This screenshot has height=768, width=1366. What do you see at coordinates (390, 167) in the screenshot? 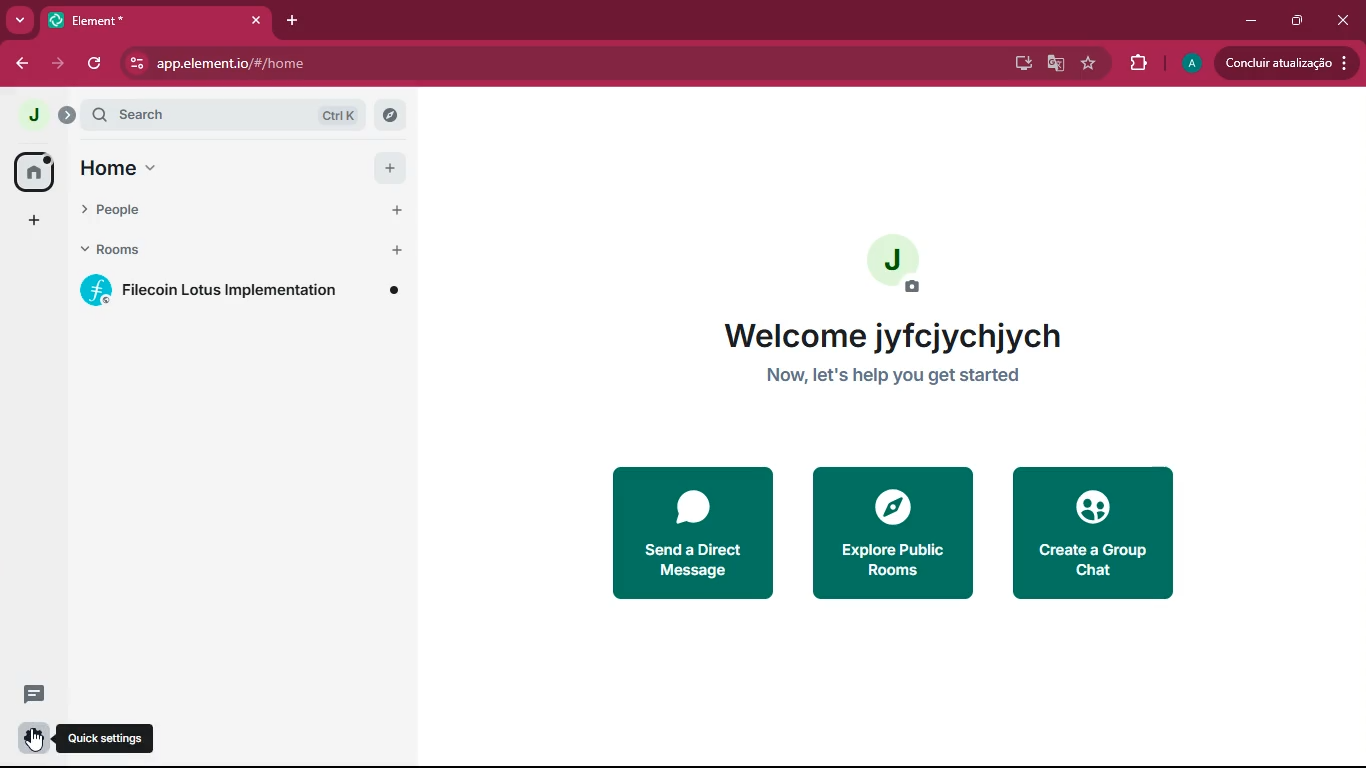
I see `add` at bounding box center [390, 167].